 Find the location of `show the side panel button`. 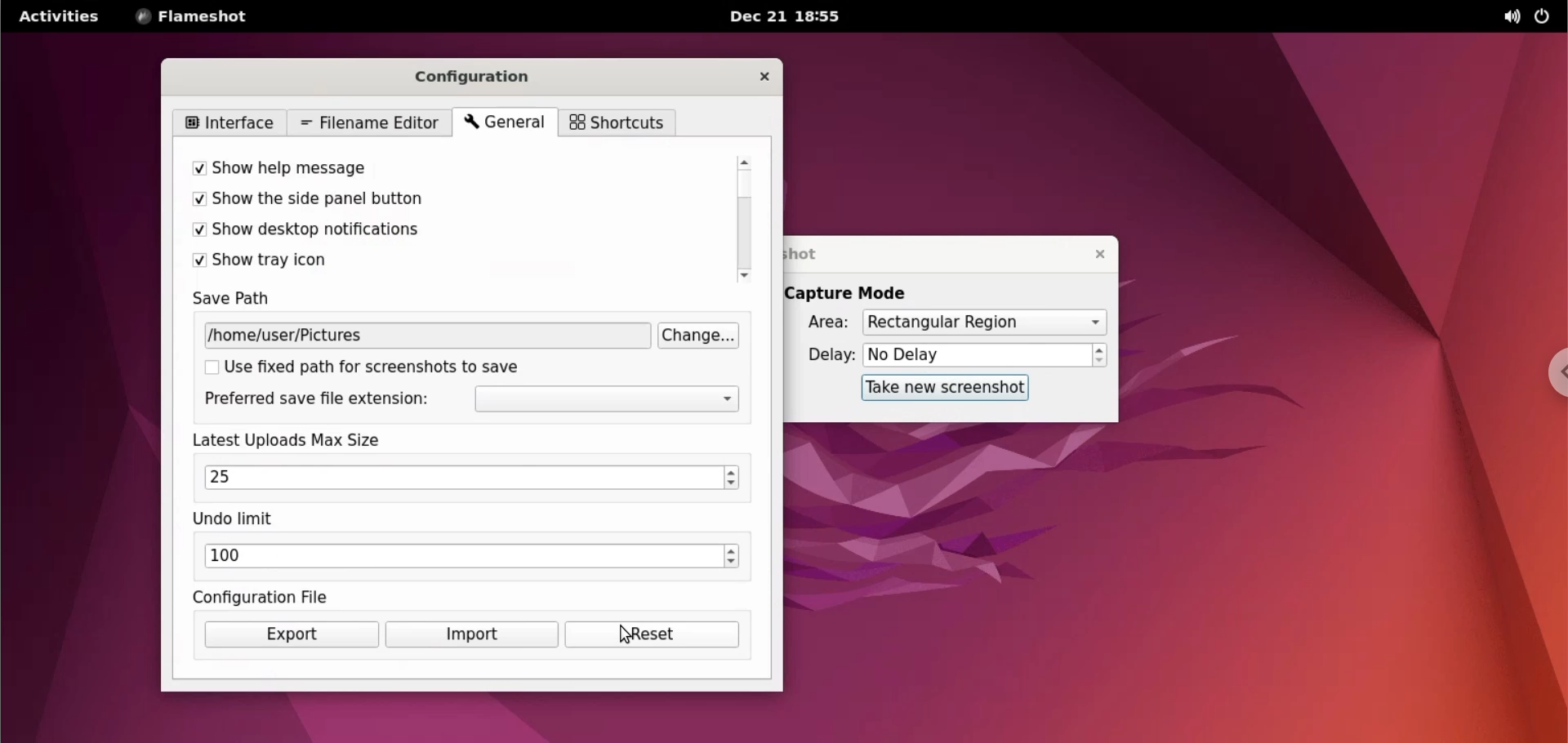

show the side panel button is located at coordinates (404, 201).